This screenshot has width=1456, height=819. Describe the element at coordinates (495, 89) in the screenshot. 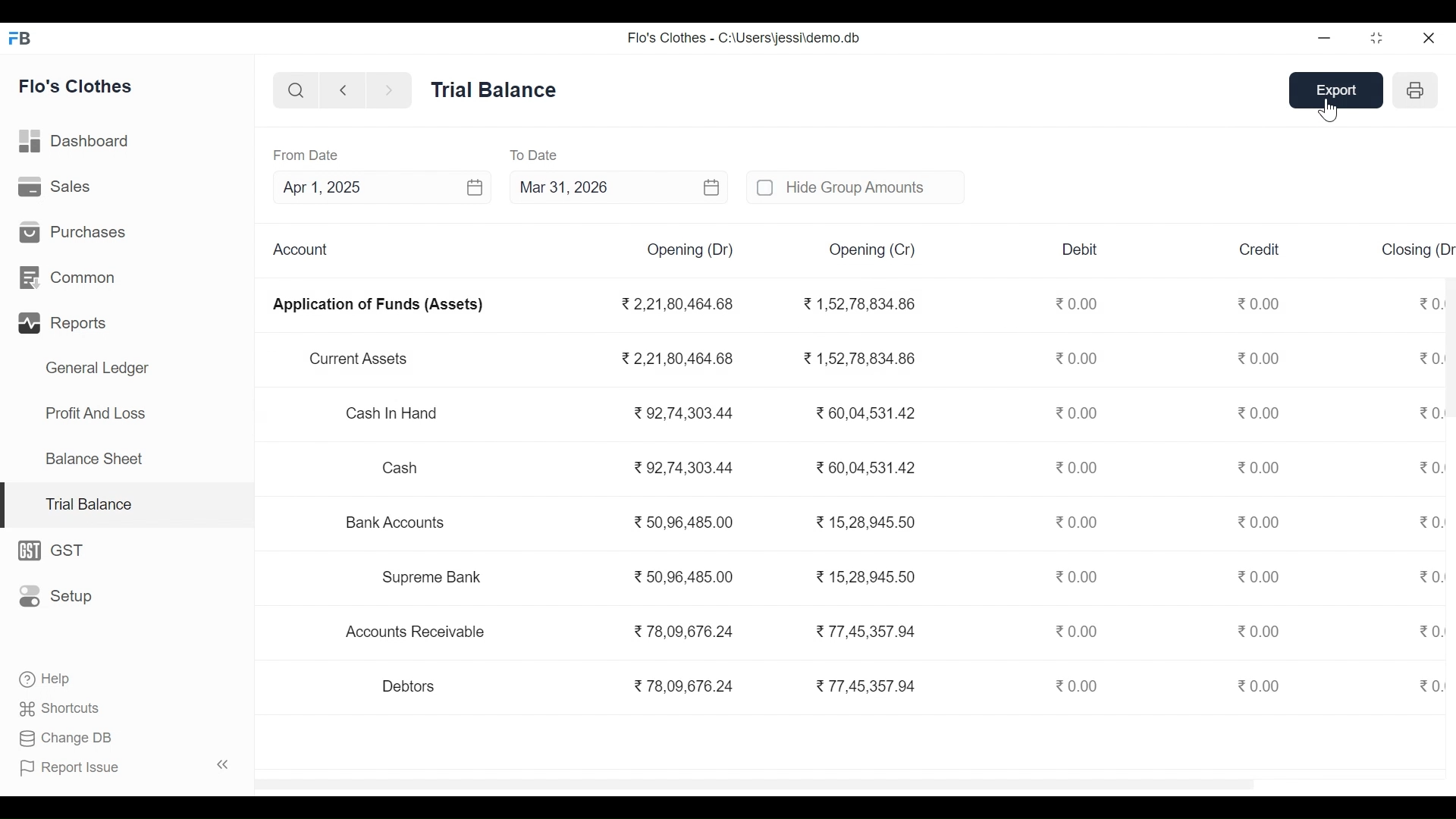

I see `Trial Balance` at that location.